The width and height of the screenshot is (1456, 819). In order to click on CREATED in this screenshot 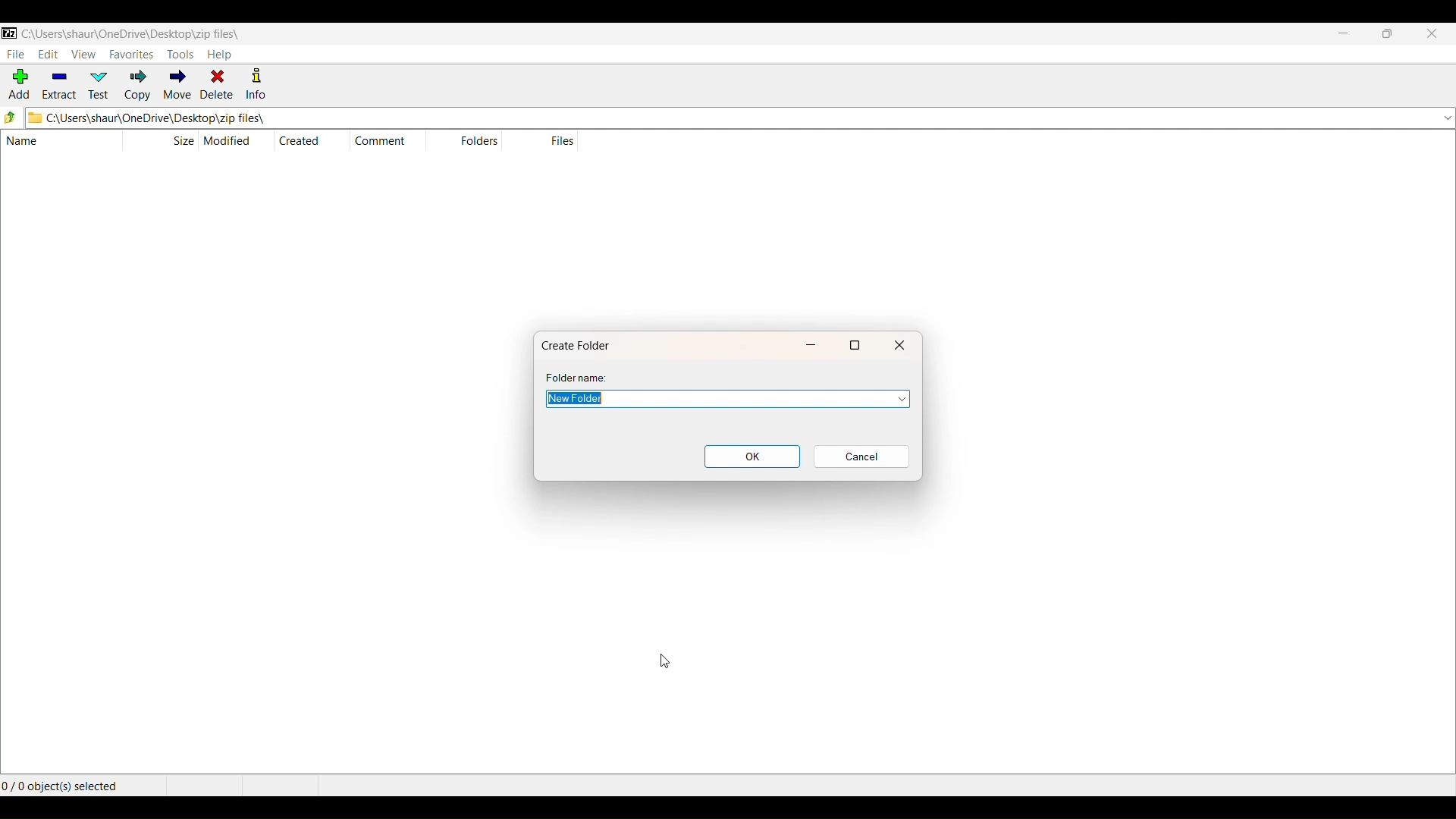, I will do `click(300, 140)`.